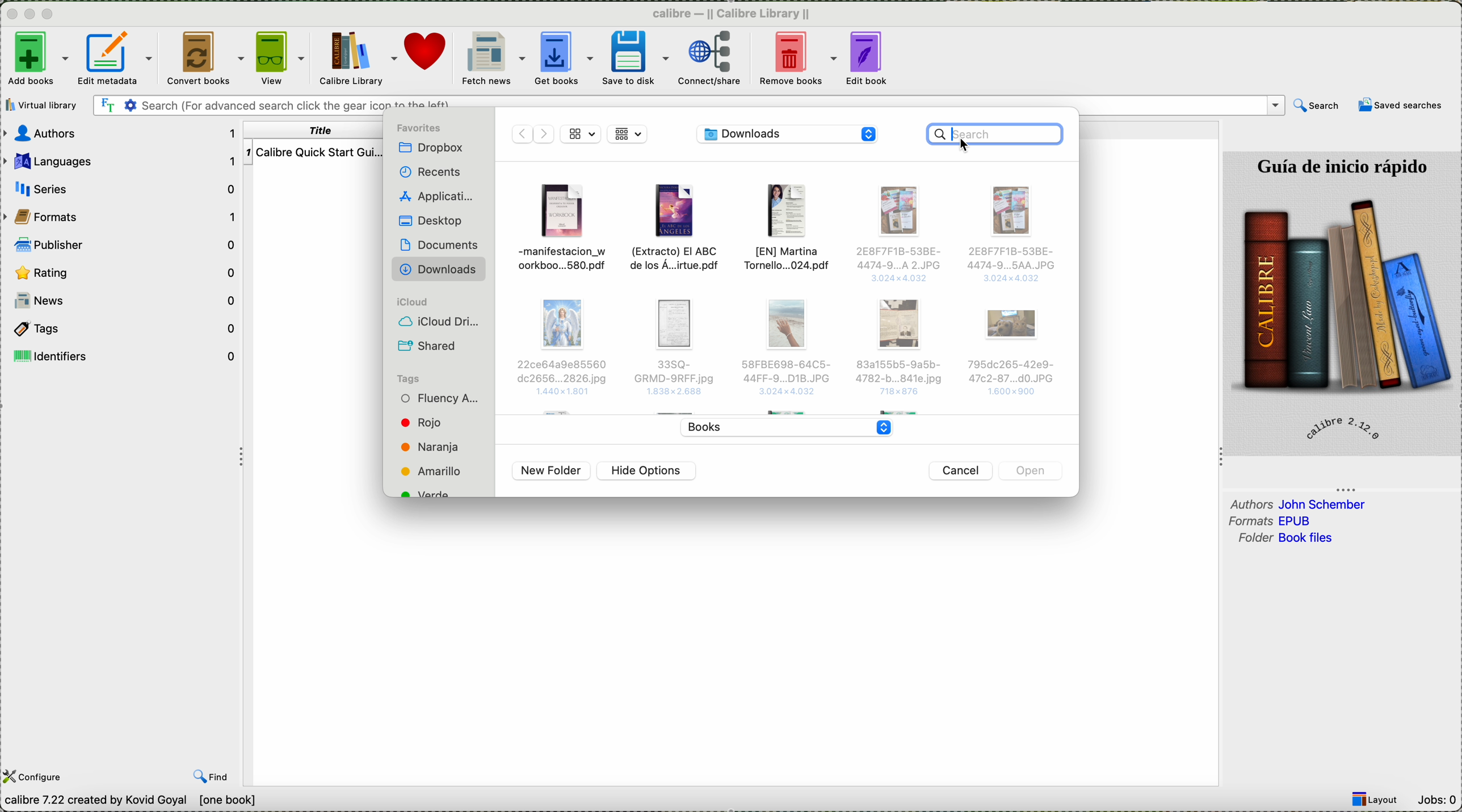 This screenshot has width=1462, height=812. I want to click on title, so click(316, 131).